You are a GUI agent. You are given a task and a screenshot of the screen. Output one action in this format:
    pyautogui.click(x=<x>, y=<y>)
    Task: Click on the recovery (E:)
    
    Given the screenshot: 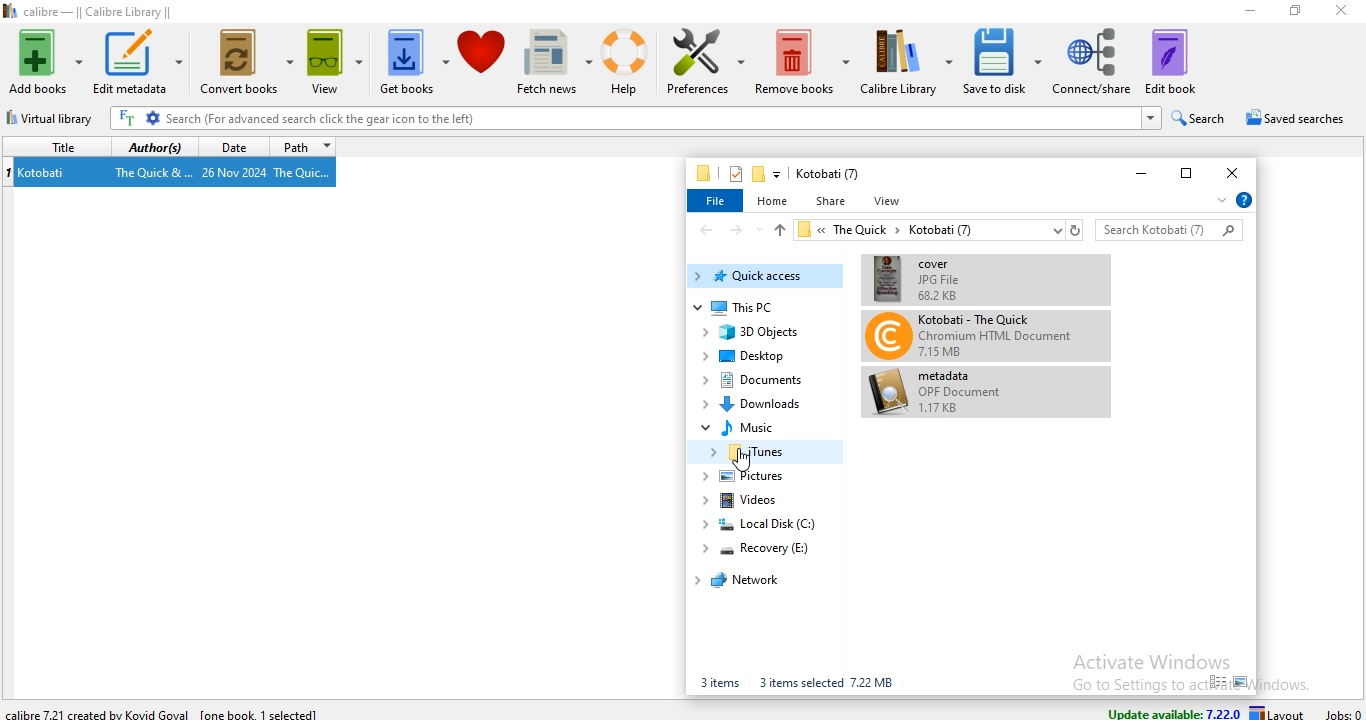 What is the action you would take?
    pyautogui.click(x=764, y=547)
    